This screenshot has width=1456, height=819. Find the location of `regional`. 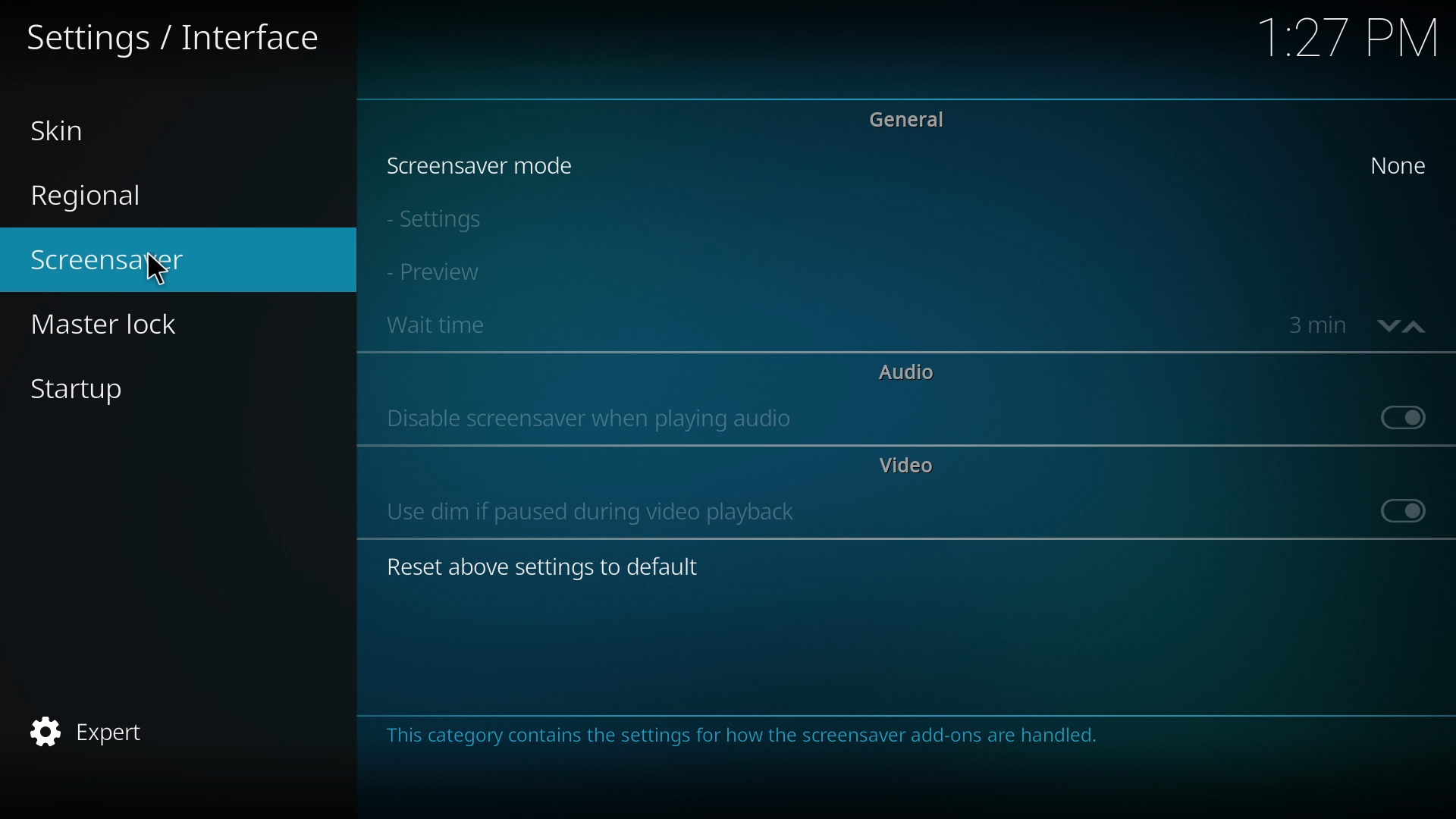

regional is located at coordinates (125, 191).